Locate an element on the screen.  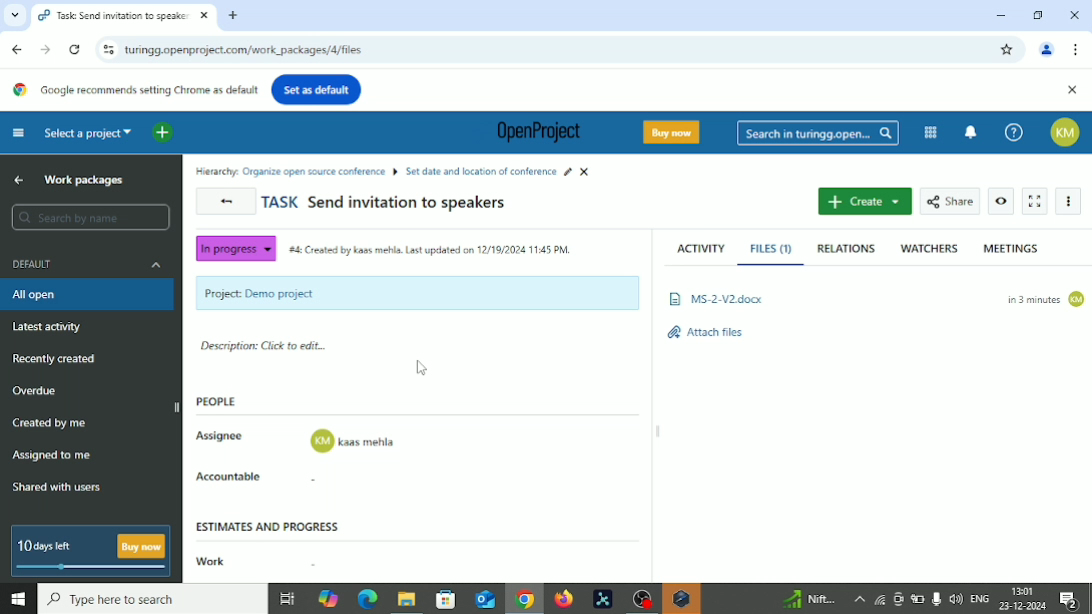
More is located at coordinates (858, 599).